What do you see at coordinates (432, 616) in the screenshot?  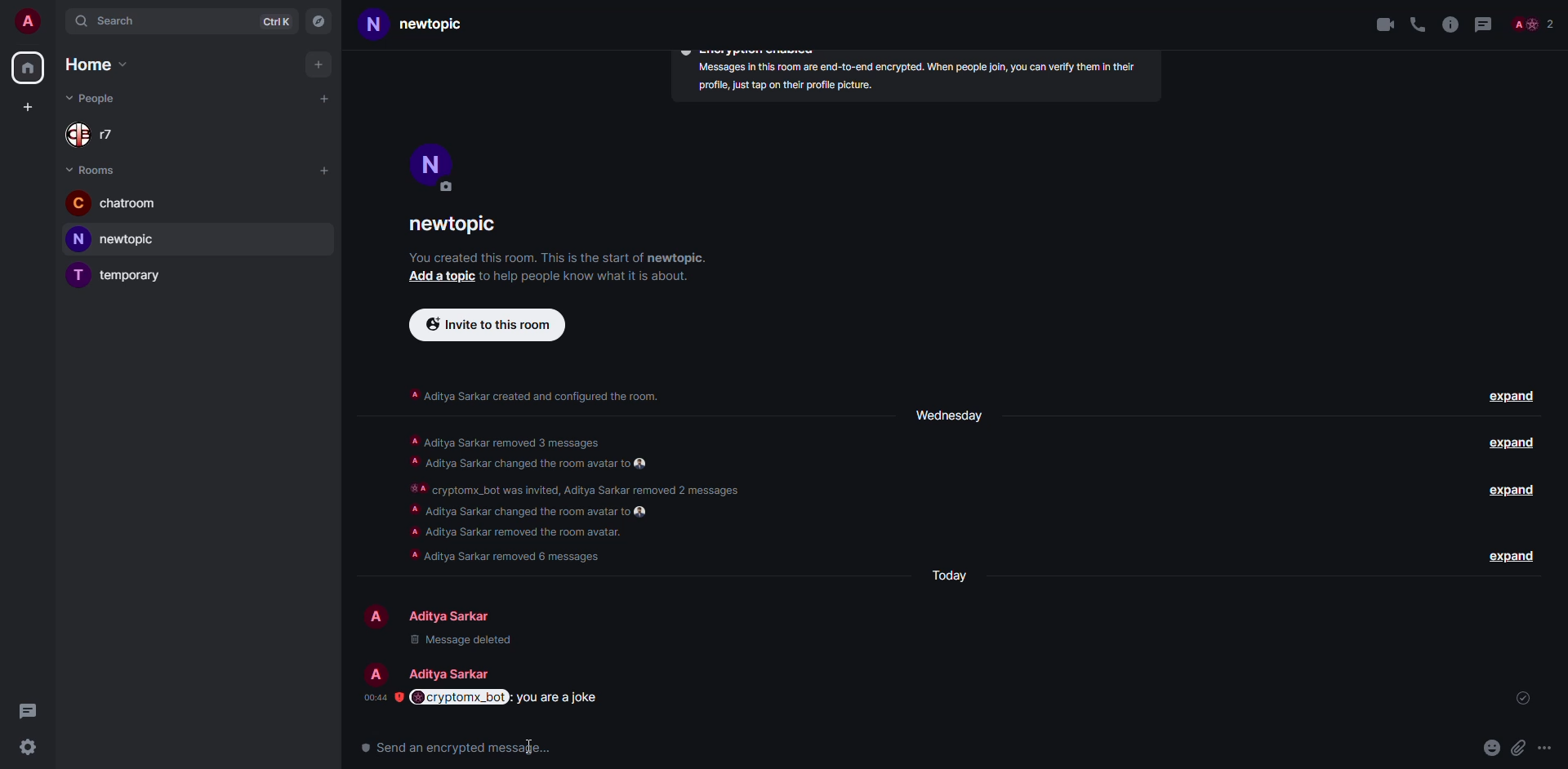 I see `Aditya Sarkar` at bounding box center [432, 616].